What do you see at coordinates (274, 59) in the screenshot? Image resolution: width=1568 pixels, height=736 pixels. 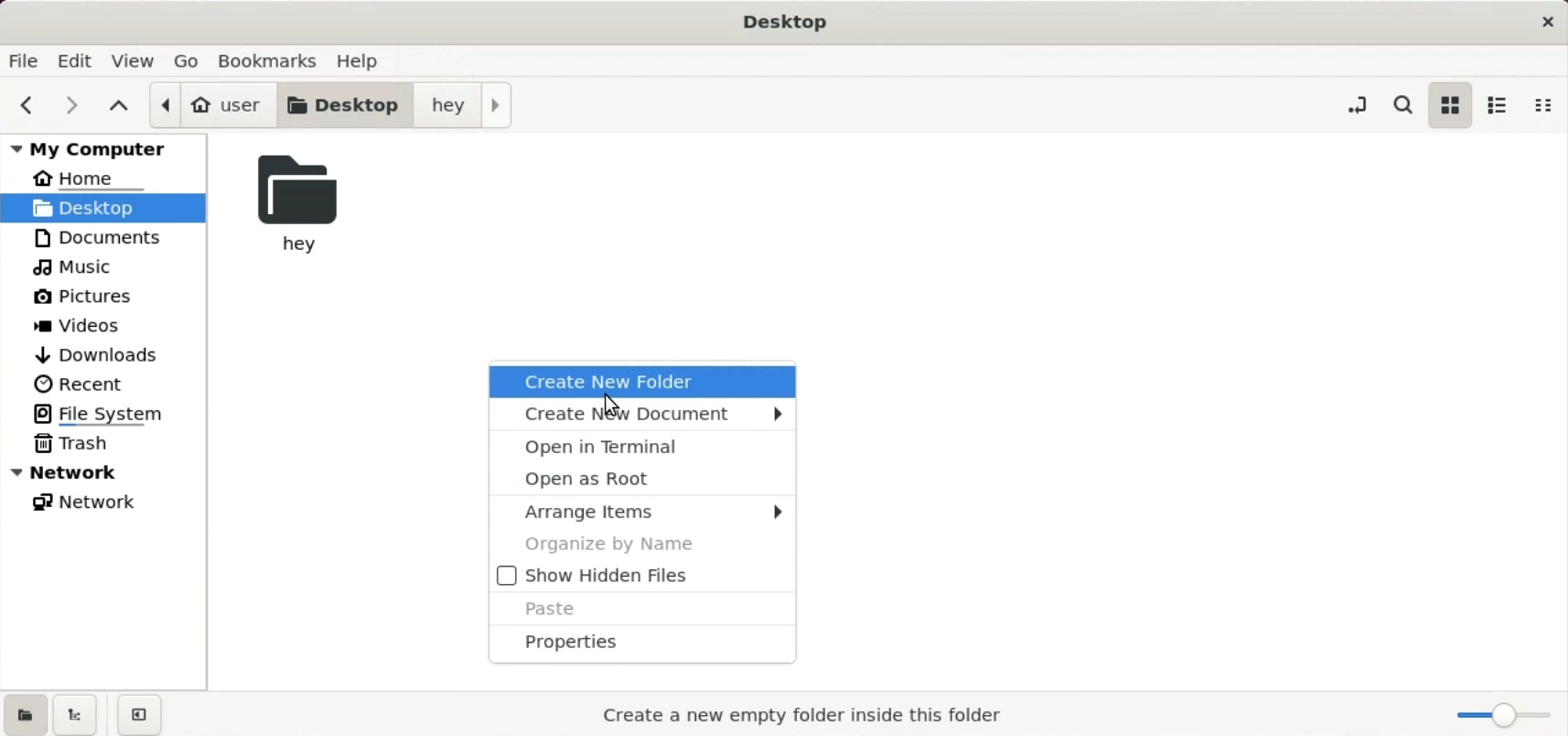 I see `bookmarks` at bounding box center [274, 59].